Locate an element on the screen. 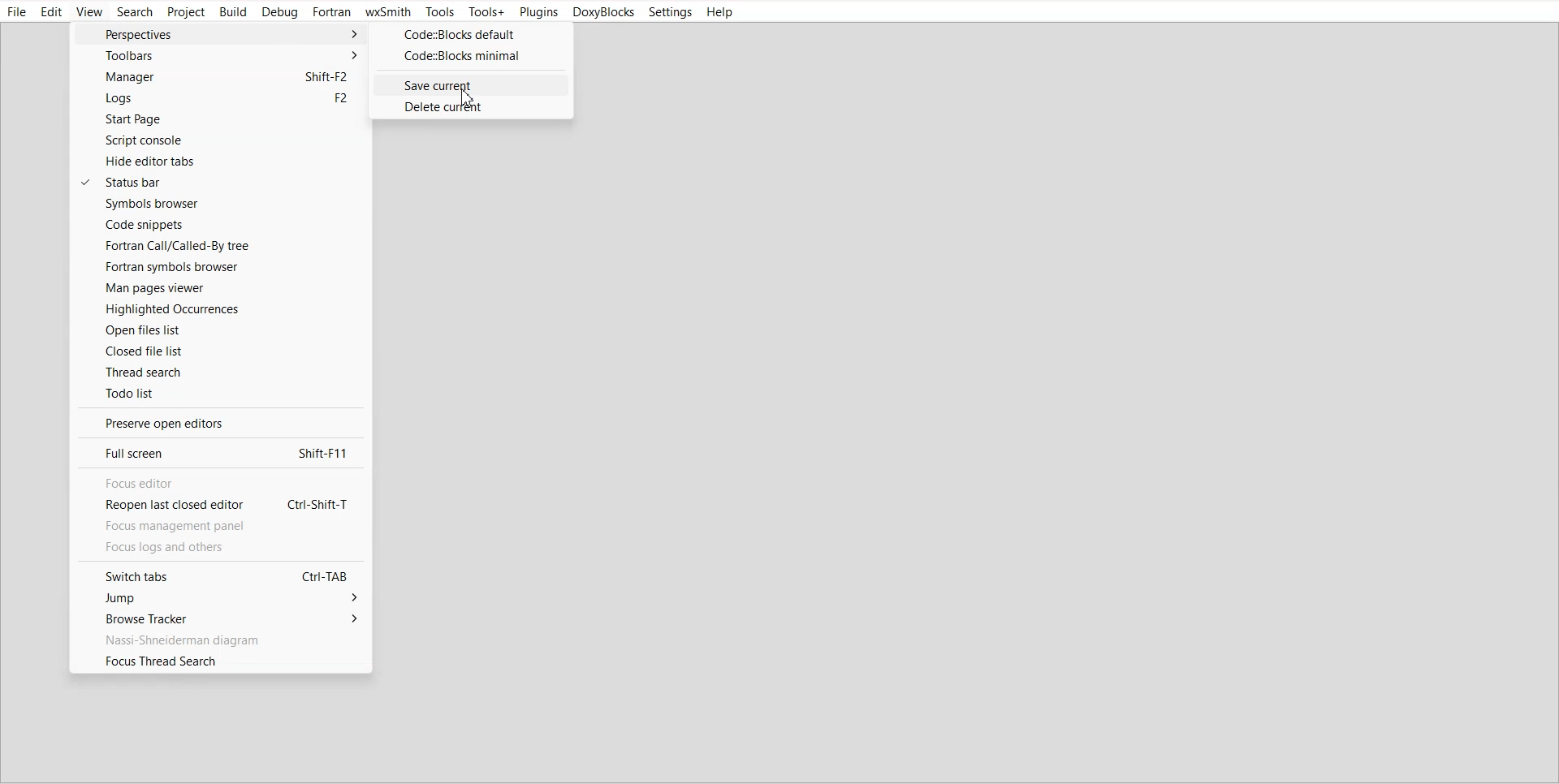 This screenshot has height=784, width=1559. Closed file list is located at coordinates (221, 351).